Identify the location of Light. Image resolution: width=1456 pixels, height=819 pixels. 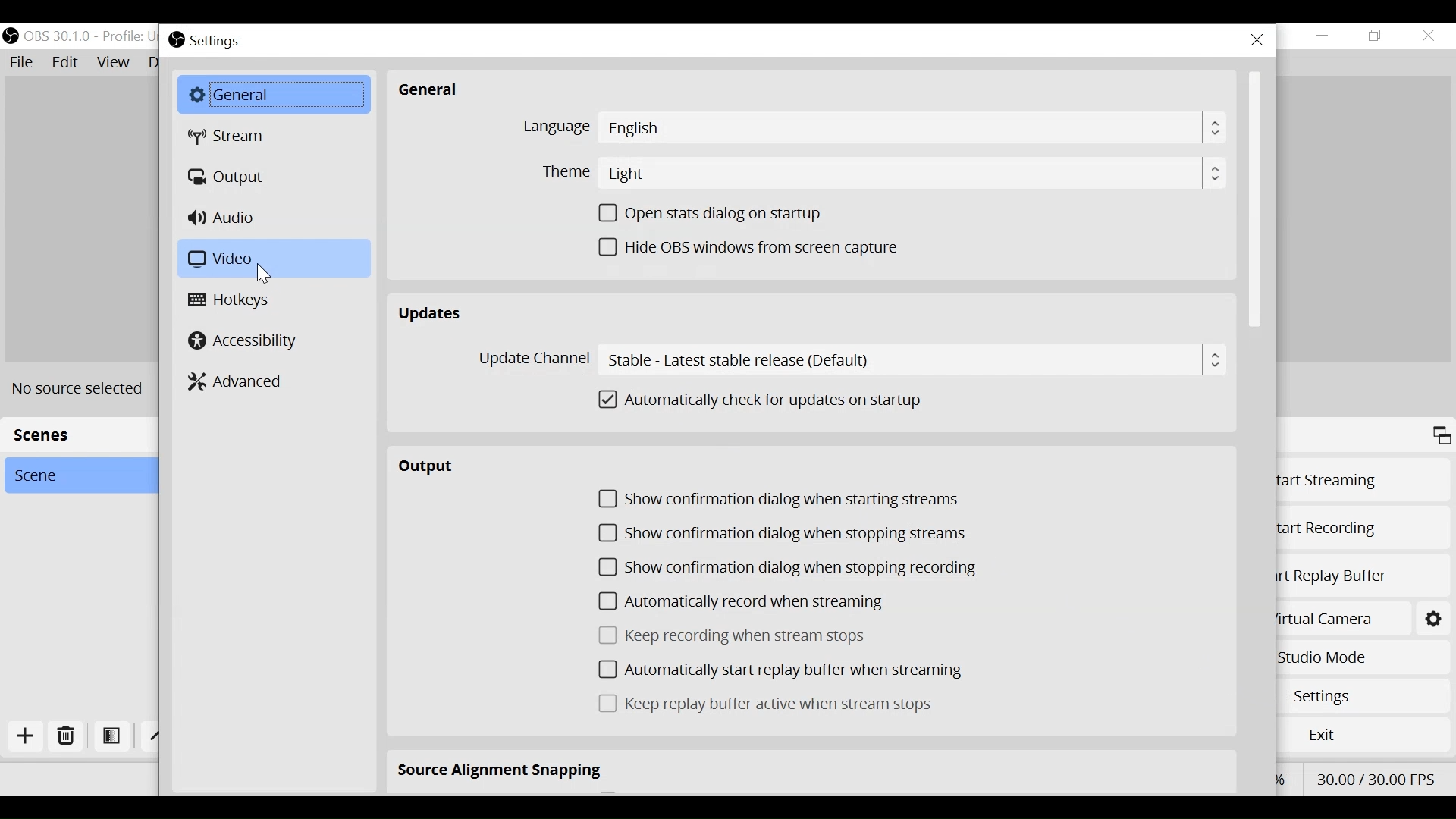
(913, 173).